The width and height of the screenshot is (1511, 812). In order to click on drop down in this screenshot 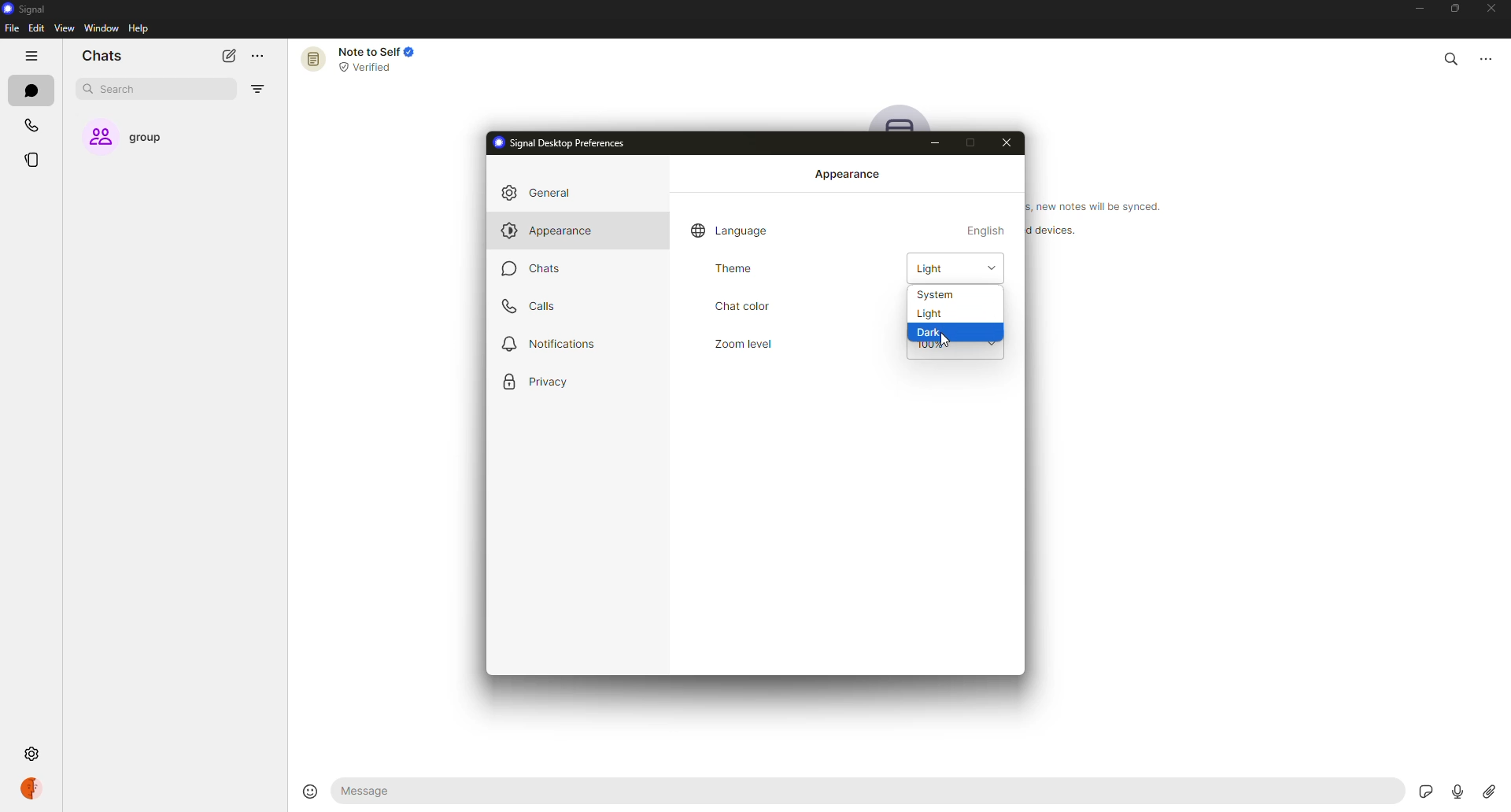, I will do `click(992, 344)`.